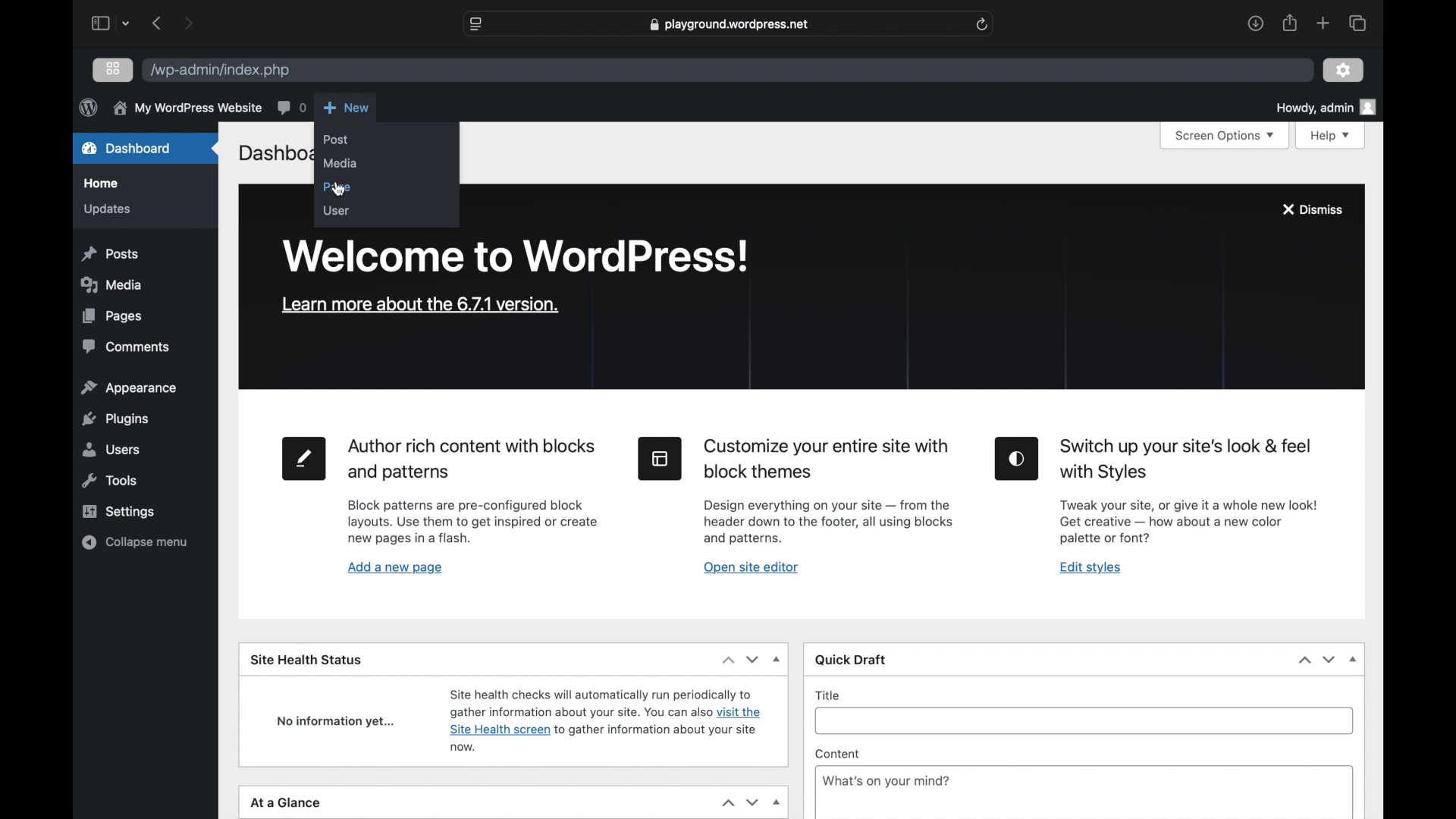  What do you see at coordinates (1197, 494) in the screenshot?
I see `Switch up your site's look & feel
with Styles

Tweak your site, or give it a whole new look!
Get creative — how about a new color
palette or font?` at bounding box center [1197, 494].